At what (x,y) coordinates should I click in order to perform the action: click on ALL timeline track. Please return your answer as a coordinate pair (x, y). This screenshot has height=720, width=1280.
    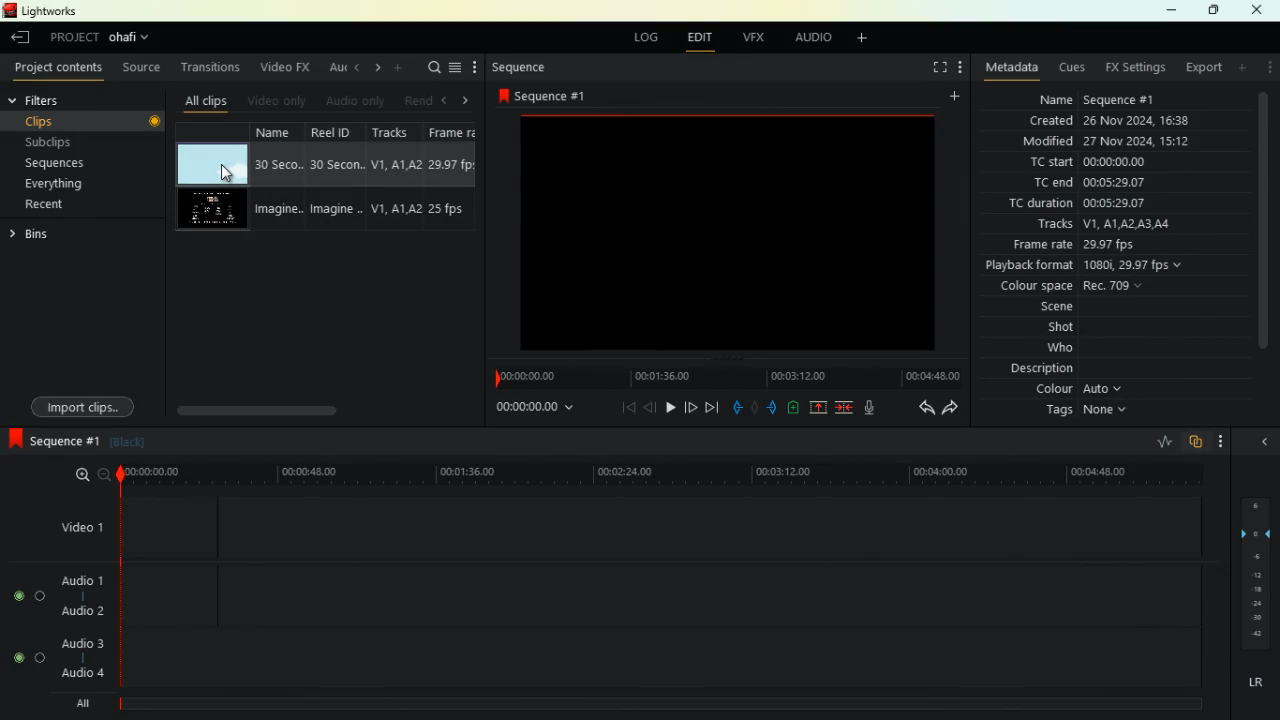
    Looking at the image, I should click on (667, 703).